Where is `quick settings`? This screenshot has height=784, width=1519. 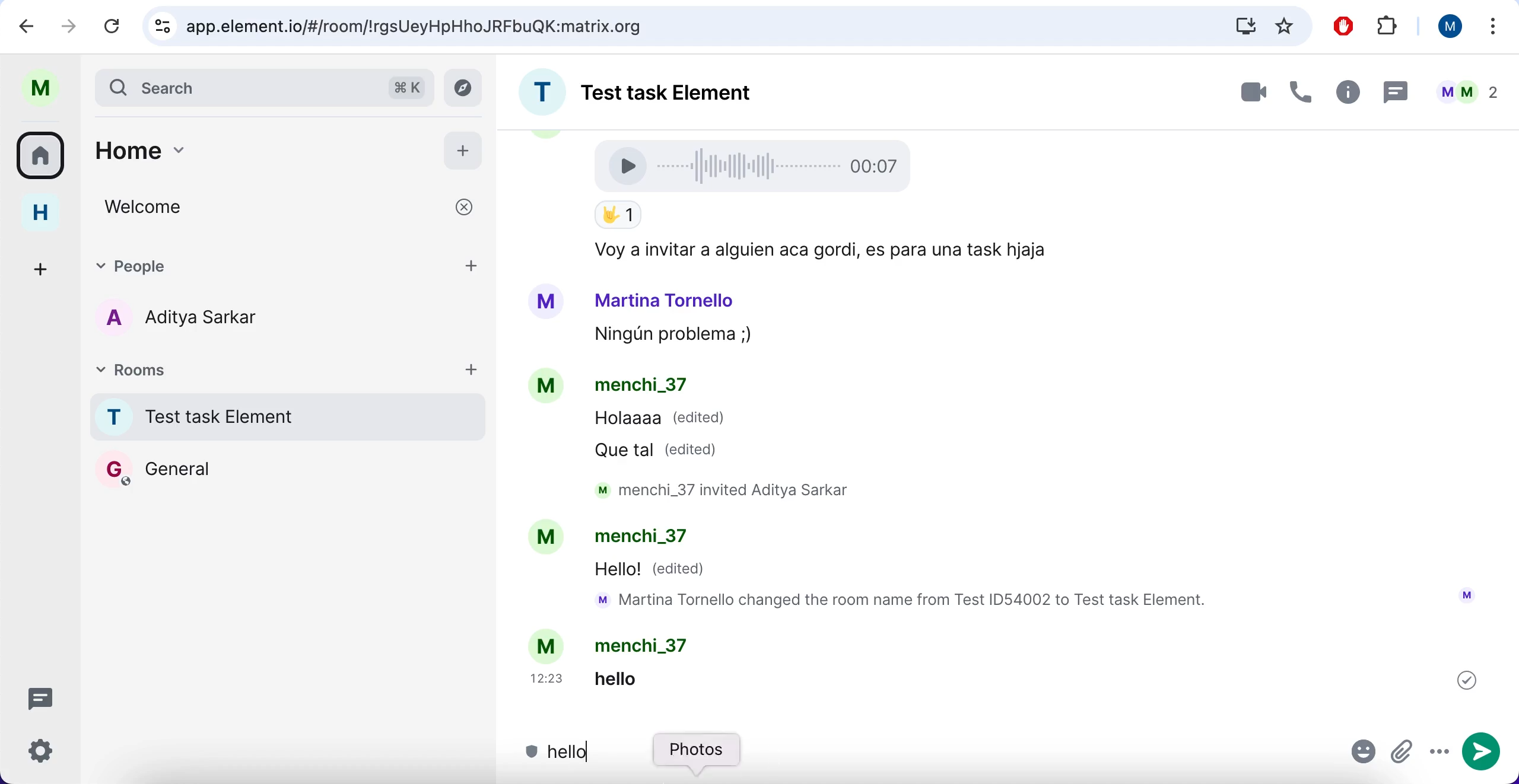 quick settings is located at coordinates (49, 755).